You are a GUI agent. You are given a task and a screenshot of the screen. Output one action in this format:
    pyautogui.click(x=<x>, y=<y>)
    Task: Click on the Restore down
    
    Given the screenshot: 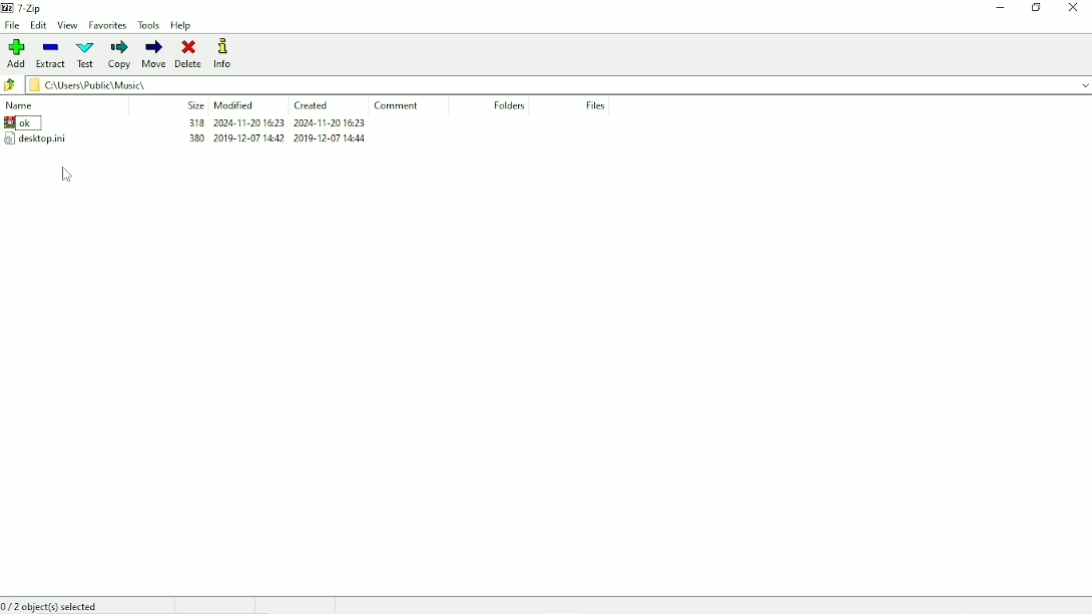 What is the action you would take?
    pyautogui.click(x=1037, y=7)
    